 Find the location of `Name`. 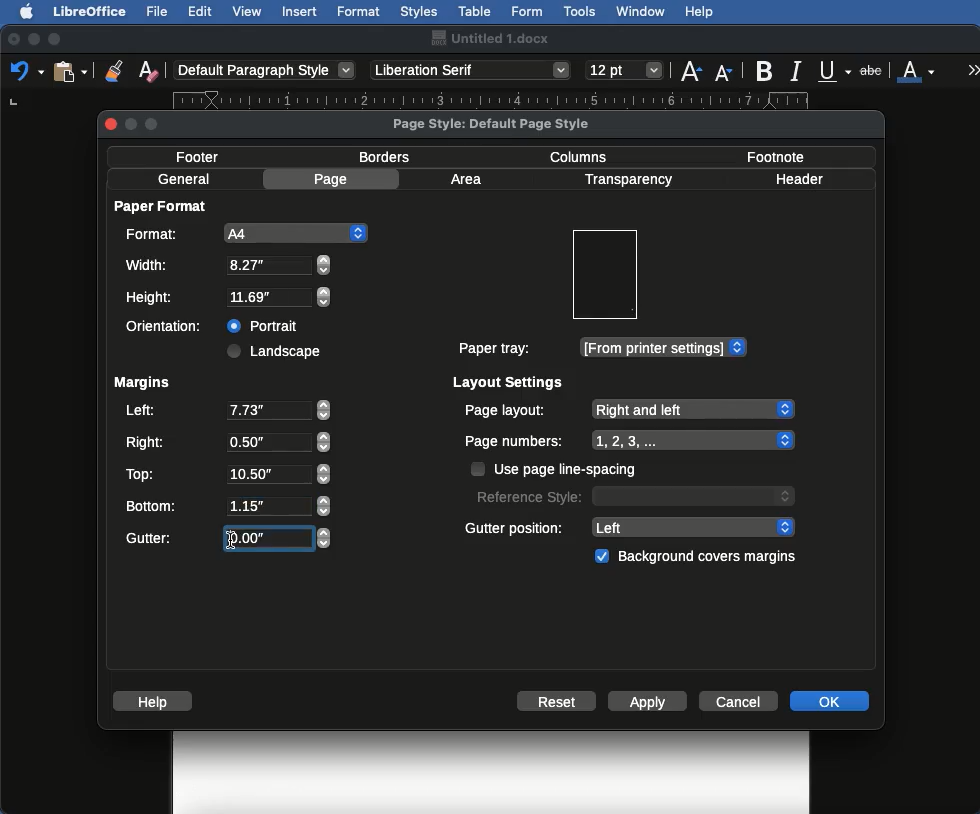

Name is located at coordinates (489, 38).